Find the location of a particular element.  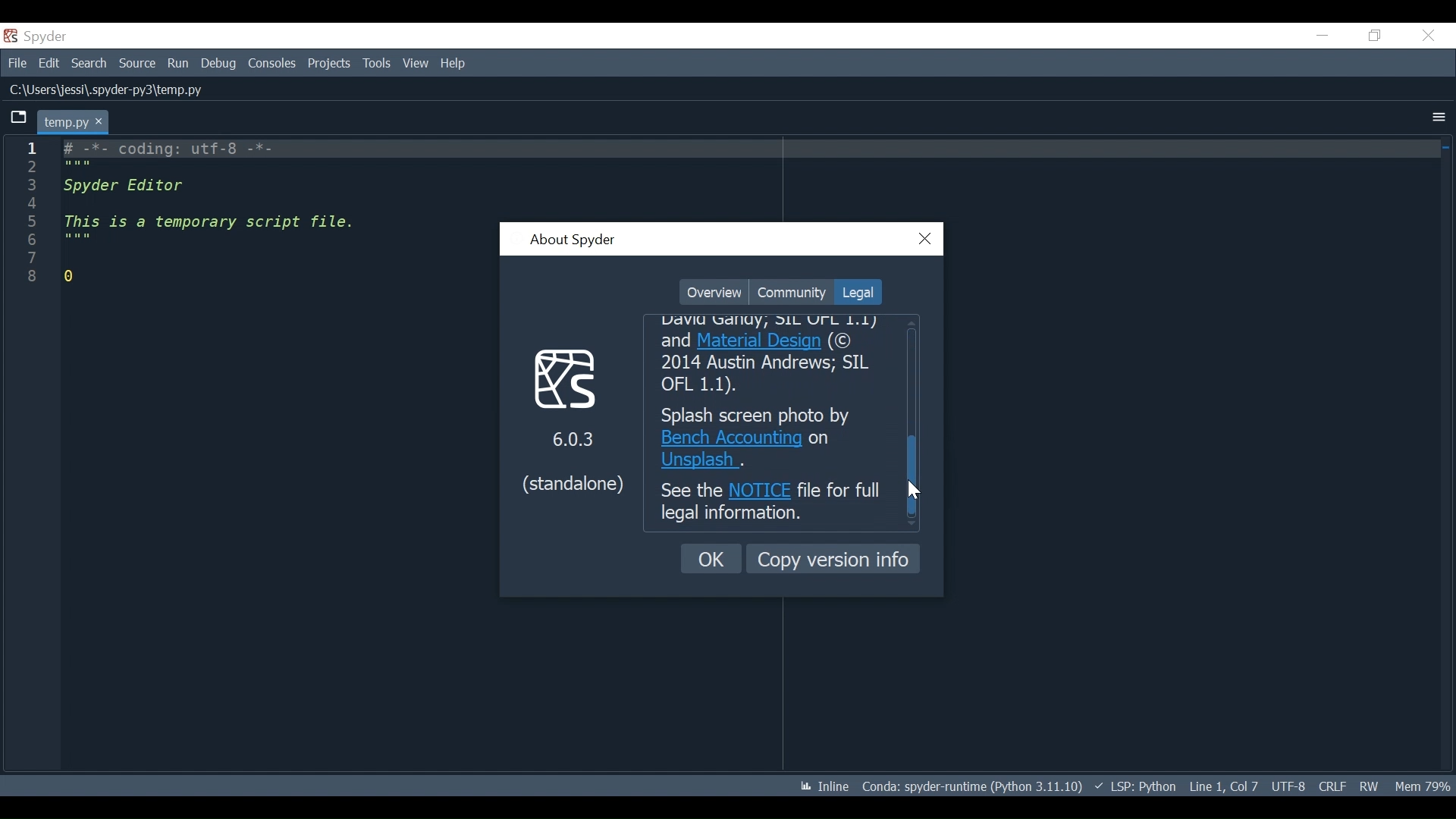

Overview is located at coordinates (714, 293).